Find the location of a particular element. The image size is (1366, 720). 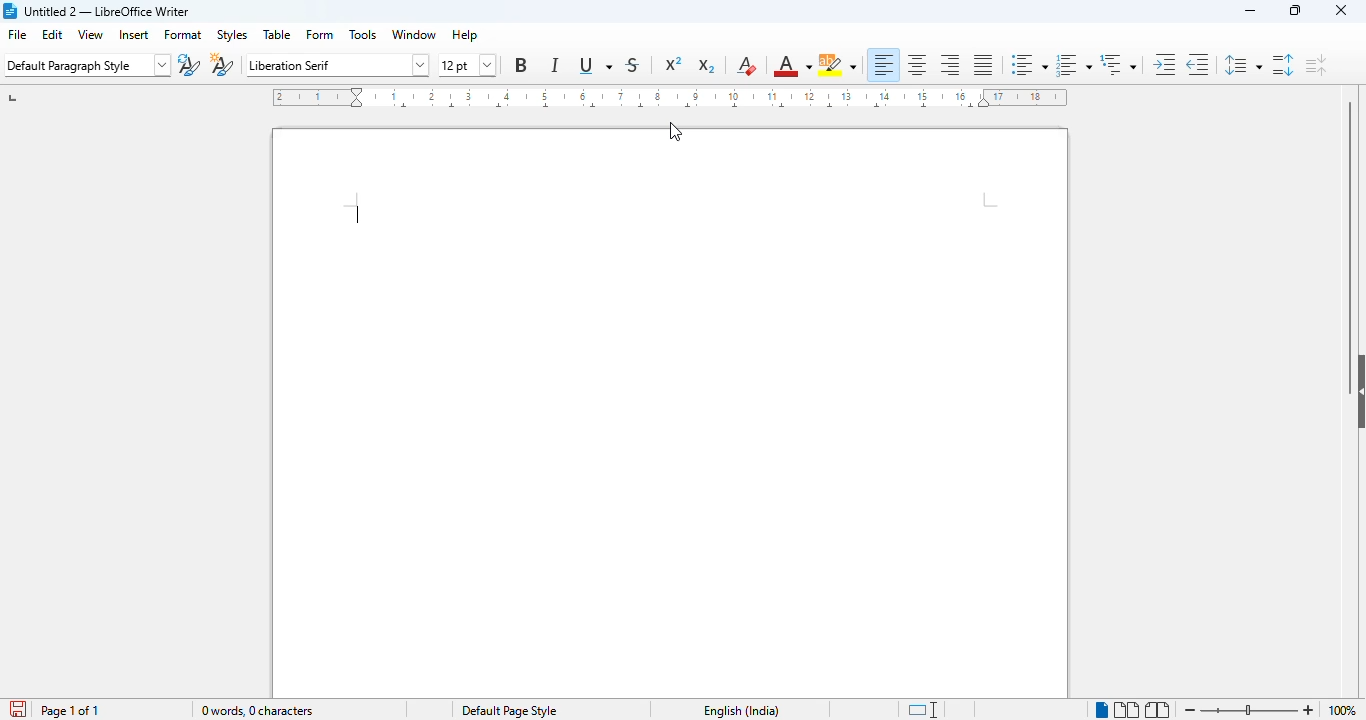

tools is located at coordinates (364, 34).